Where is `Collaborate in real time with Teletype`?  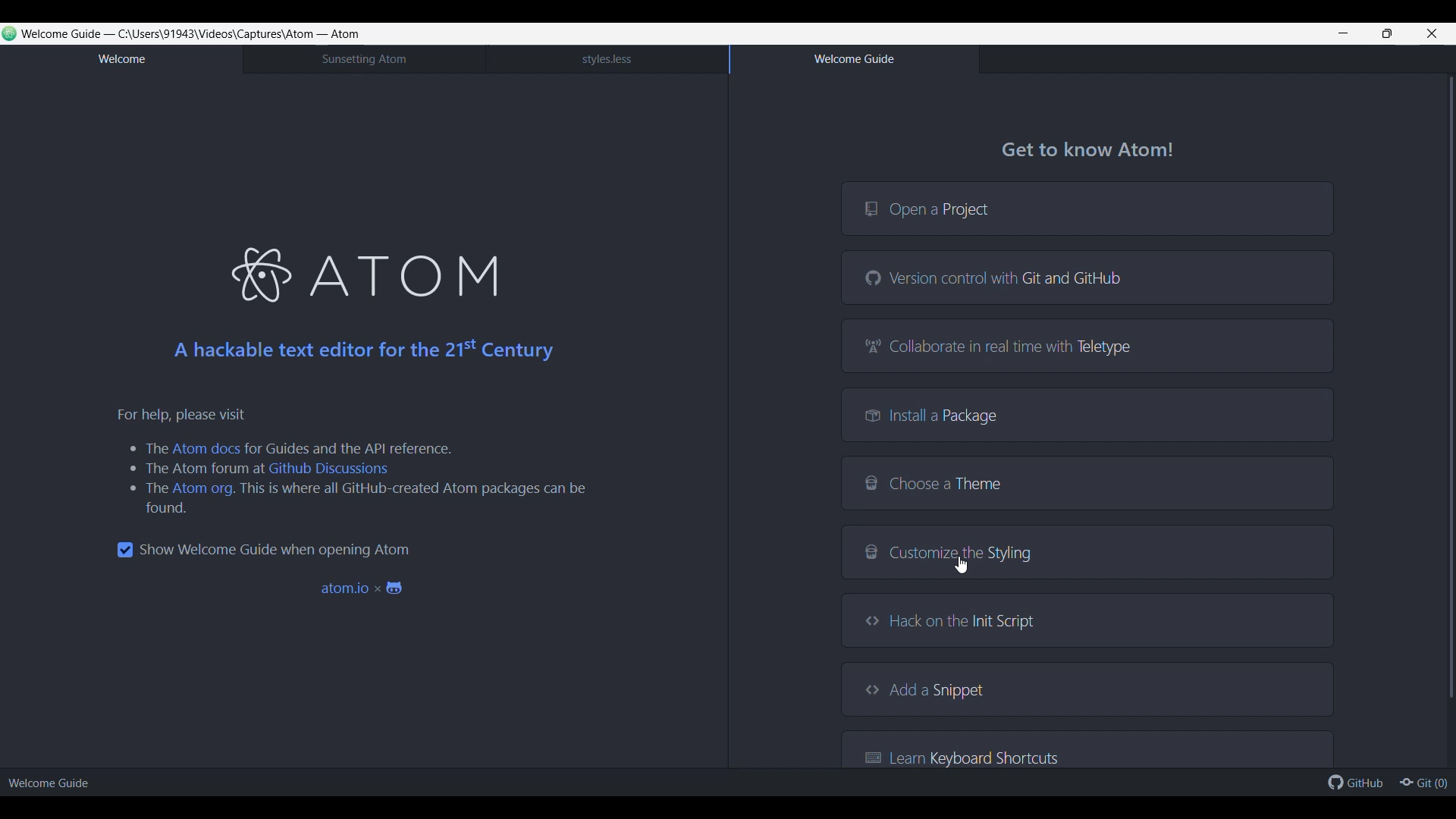
Collaborate in real time with Teletype is located at coordinates (1087, 345).